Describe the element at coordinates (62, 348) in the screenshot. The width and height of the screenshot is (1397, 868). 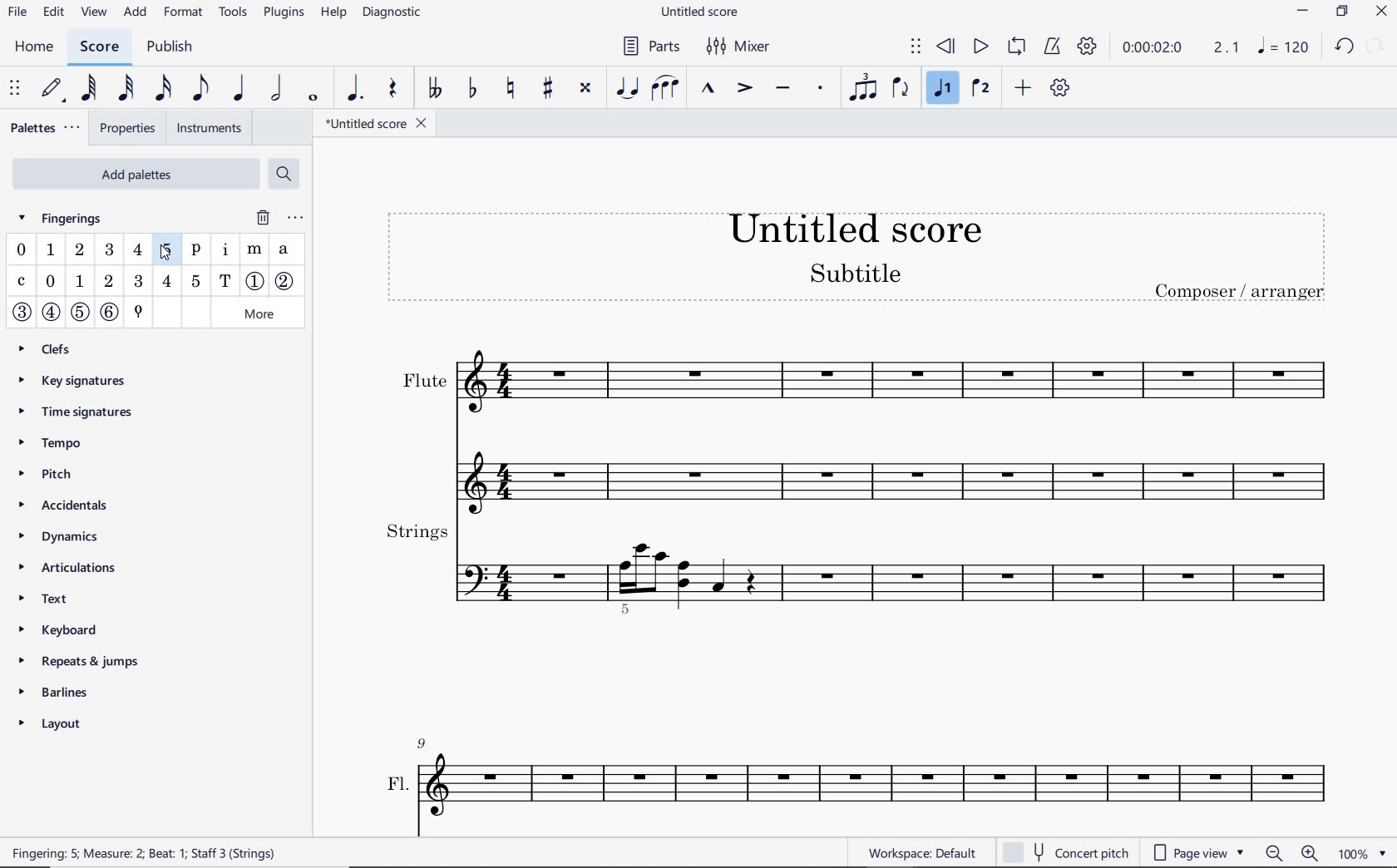
I see `clefs` at that location.